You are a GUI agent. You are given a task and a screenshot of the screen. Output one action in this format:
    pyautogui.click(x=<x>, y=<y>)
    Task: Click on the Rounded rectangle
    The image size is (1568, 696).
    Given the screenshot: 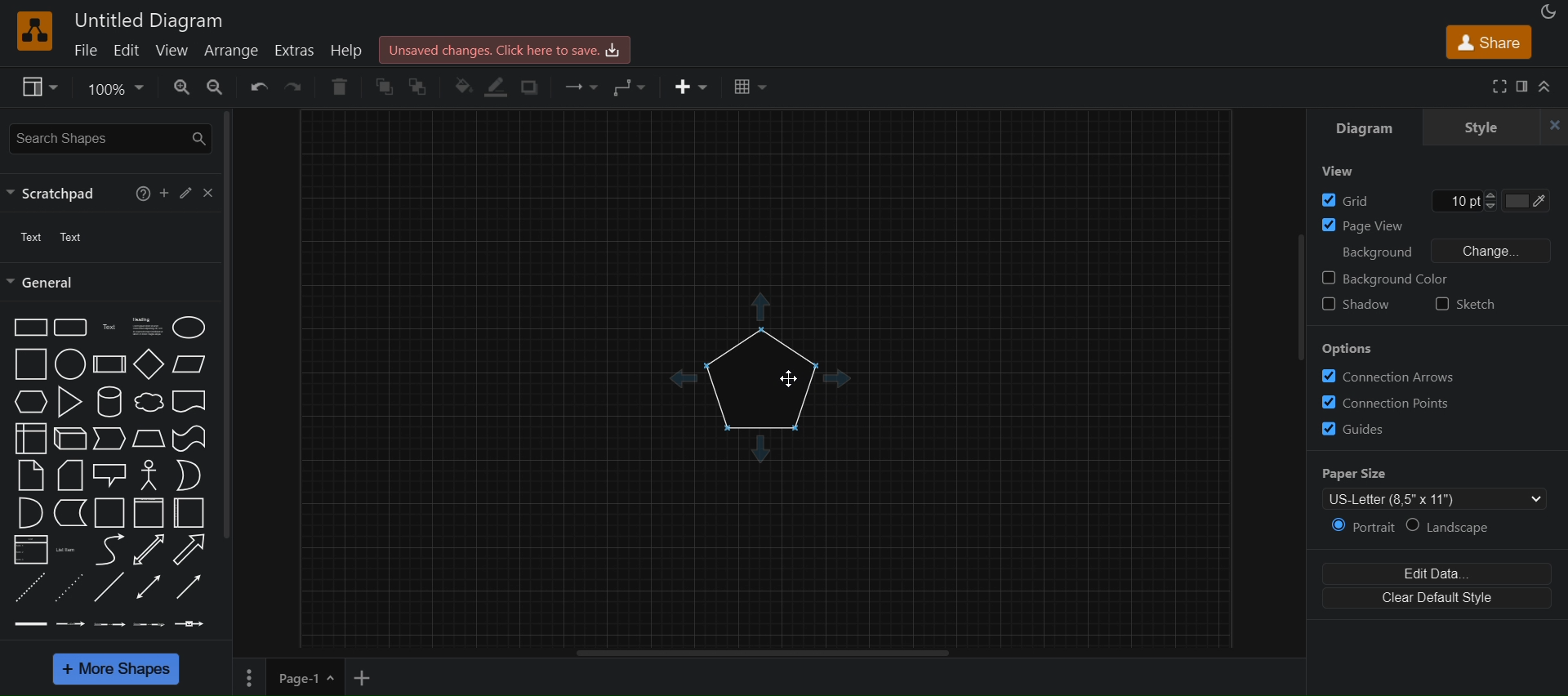 What is the action you would take?
    pyautogui.click(x=70, y=328)
    